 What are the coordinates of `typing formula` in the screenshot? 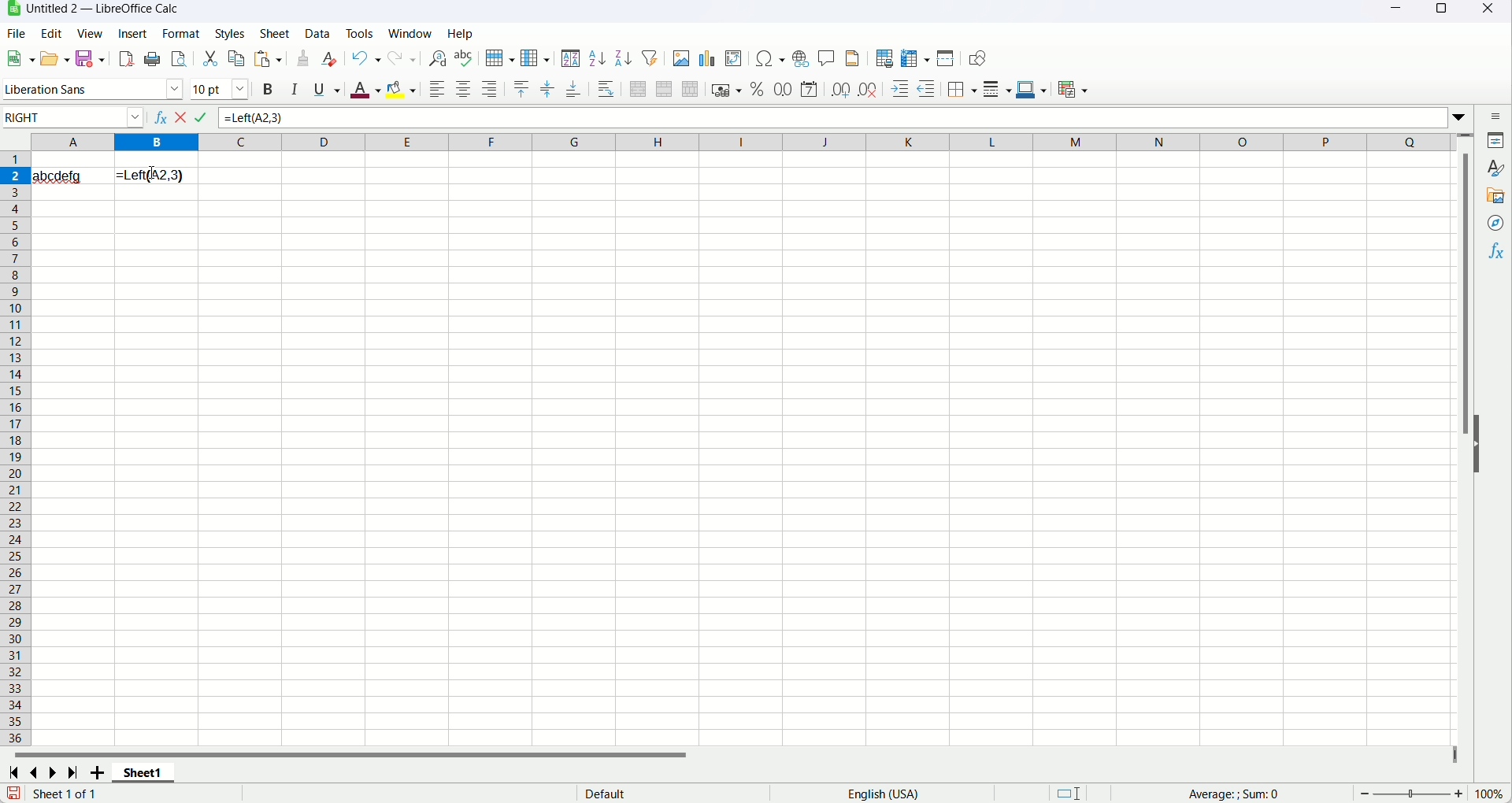 It's located at (198, 176).